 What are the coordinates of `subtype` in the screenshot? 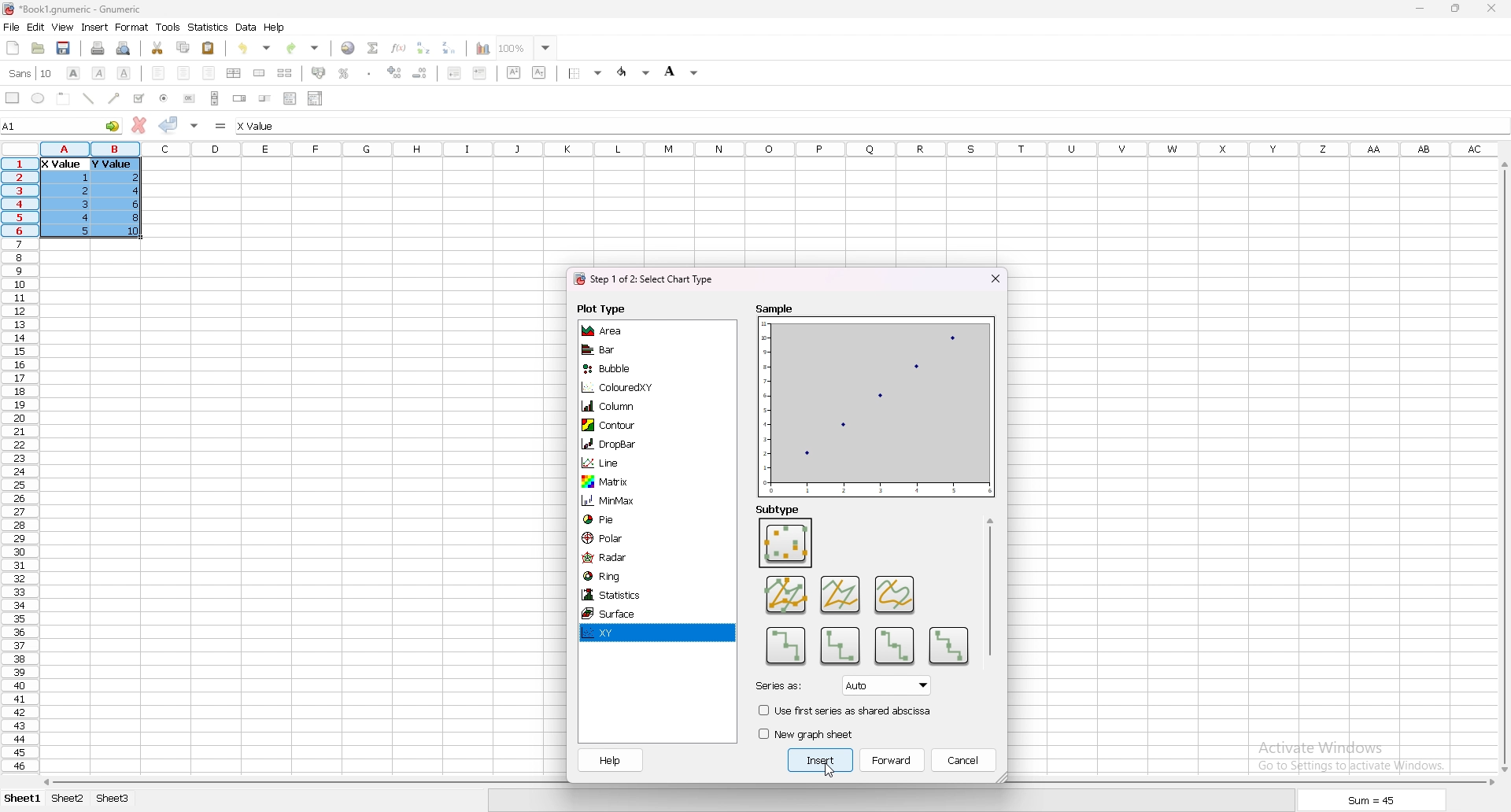 It's located at (841, 593).